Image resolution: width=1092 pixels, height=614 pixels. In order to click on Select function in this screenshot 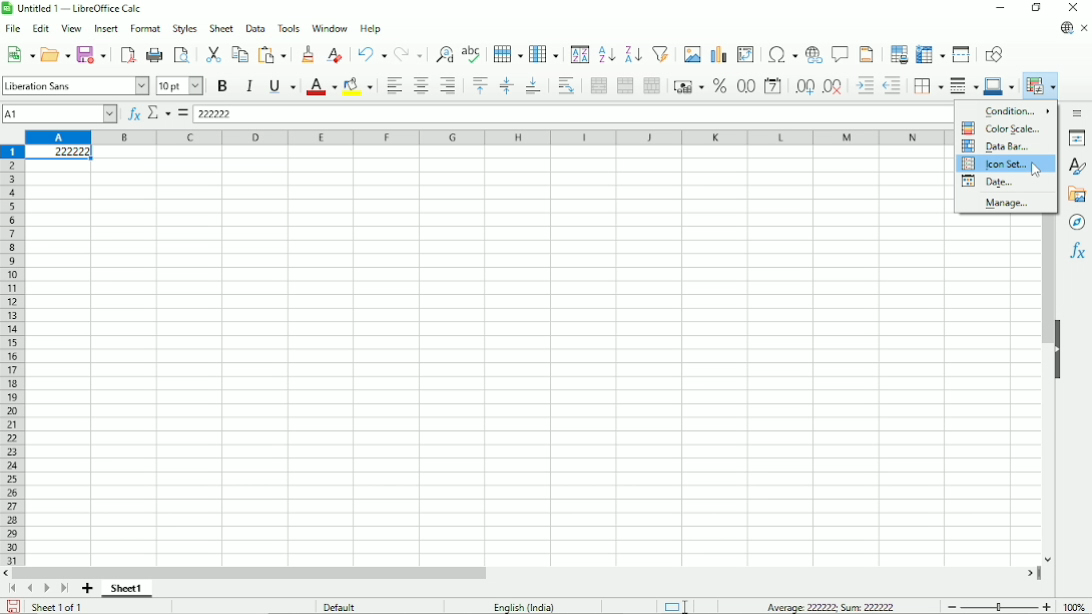, I will do `click(159, 113)`.